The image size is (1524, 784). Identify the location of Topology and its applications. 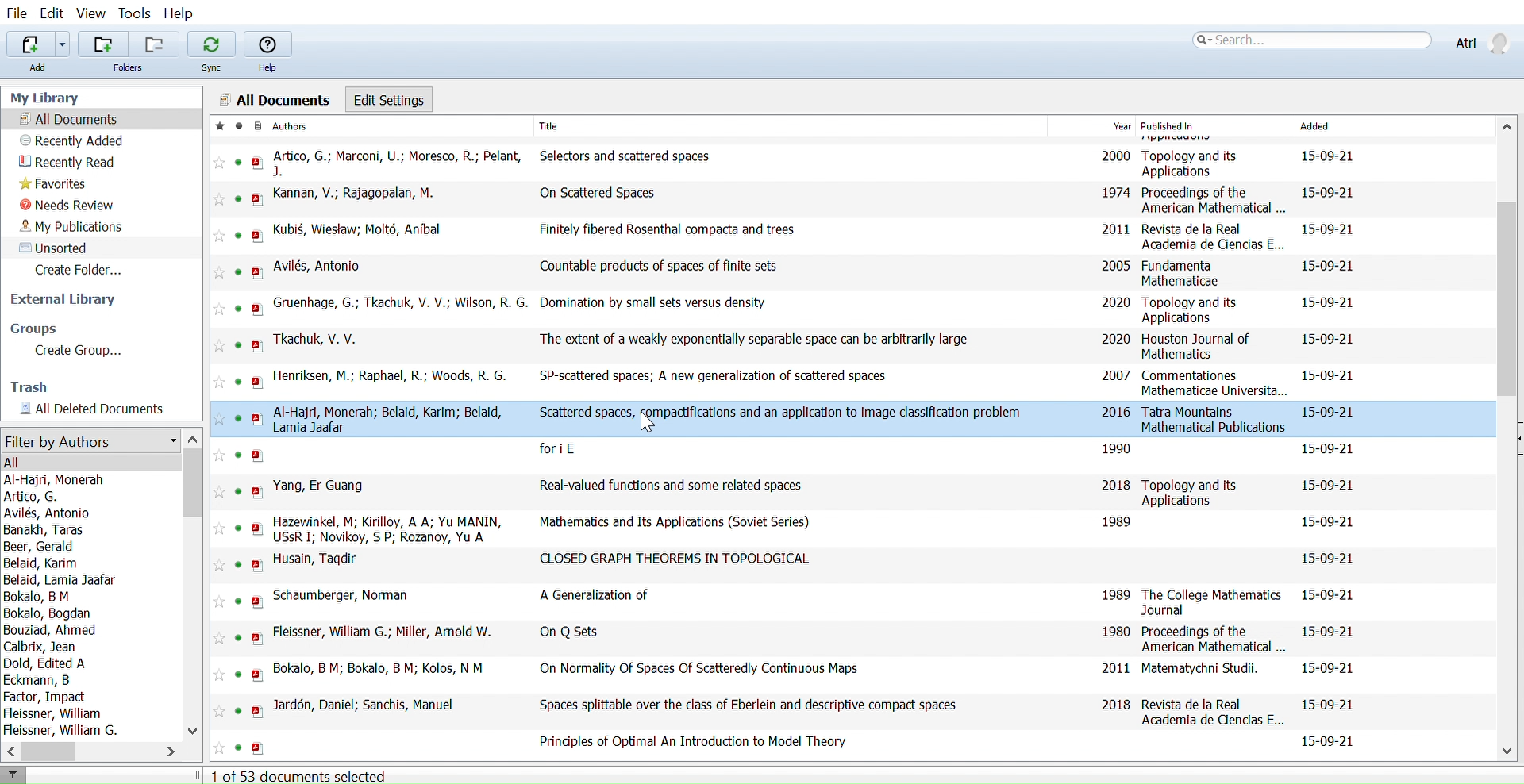
(1191, 492).